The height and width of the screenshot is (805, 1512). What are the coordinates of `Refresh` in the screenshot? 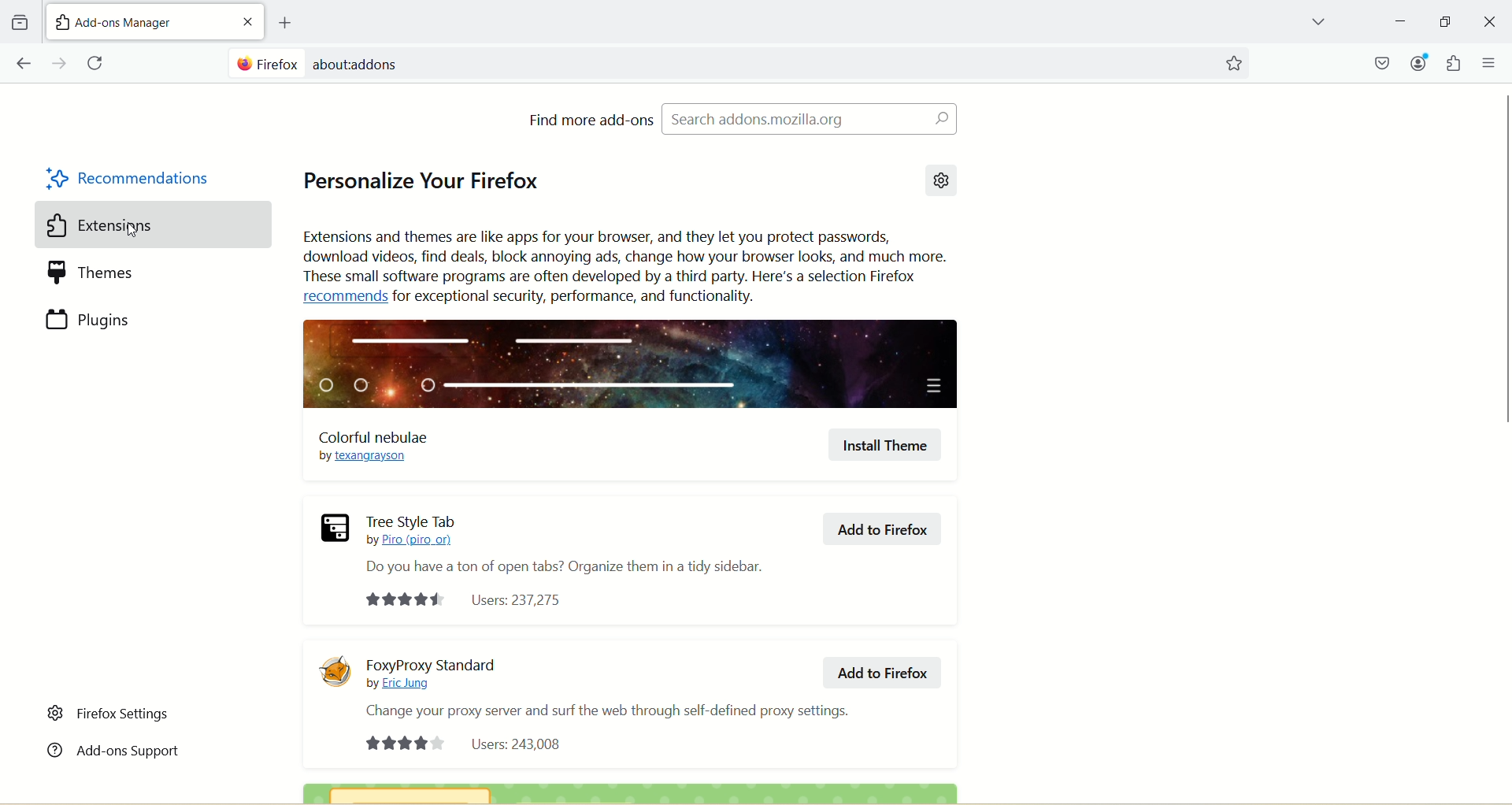 It's located at (98, 64).